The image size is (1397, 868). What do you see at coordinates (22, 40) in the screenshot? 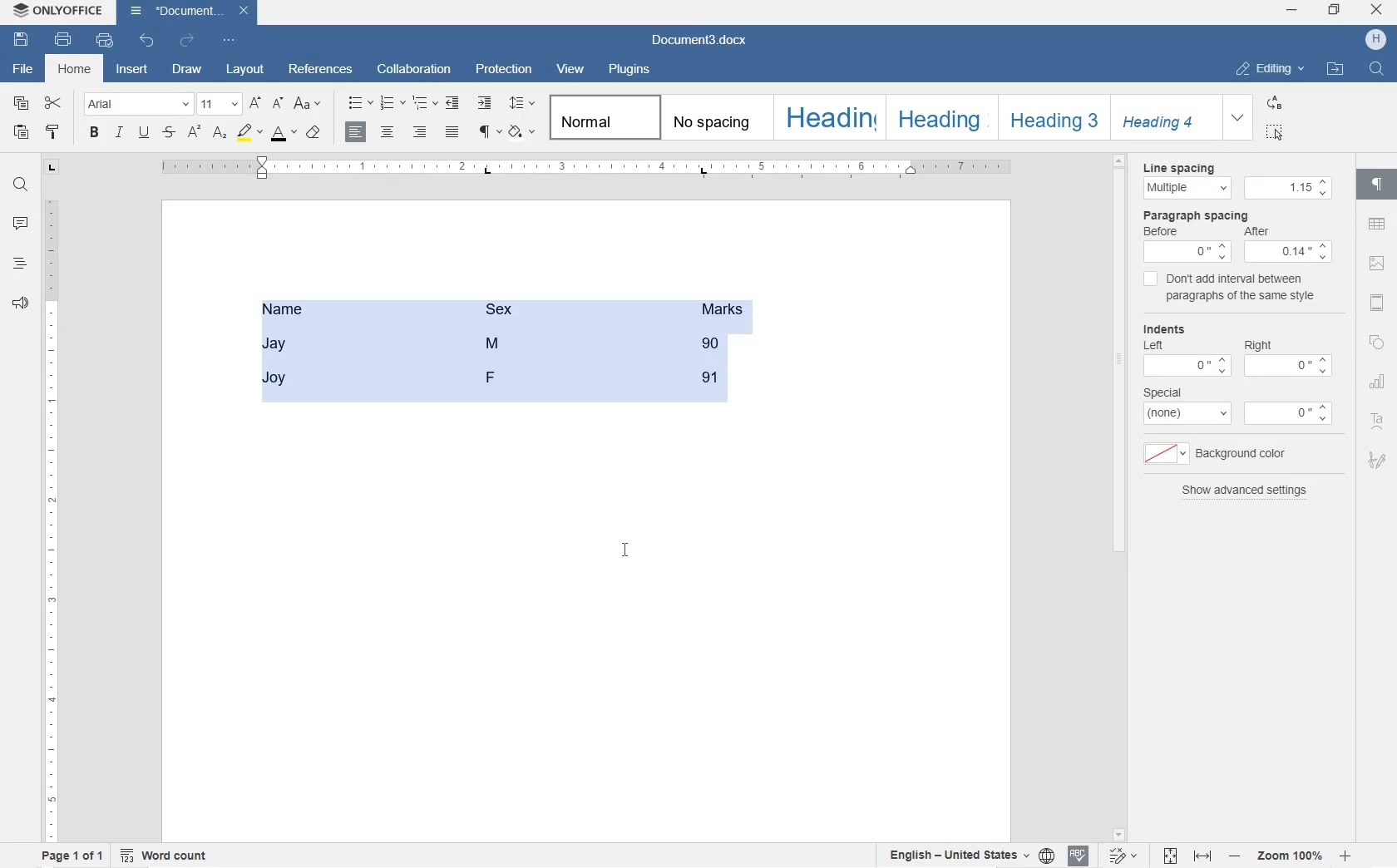
I see `SAVE` at bounding box center [22, 40].